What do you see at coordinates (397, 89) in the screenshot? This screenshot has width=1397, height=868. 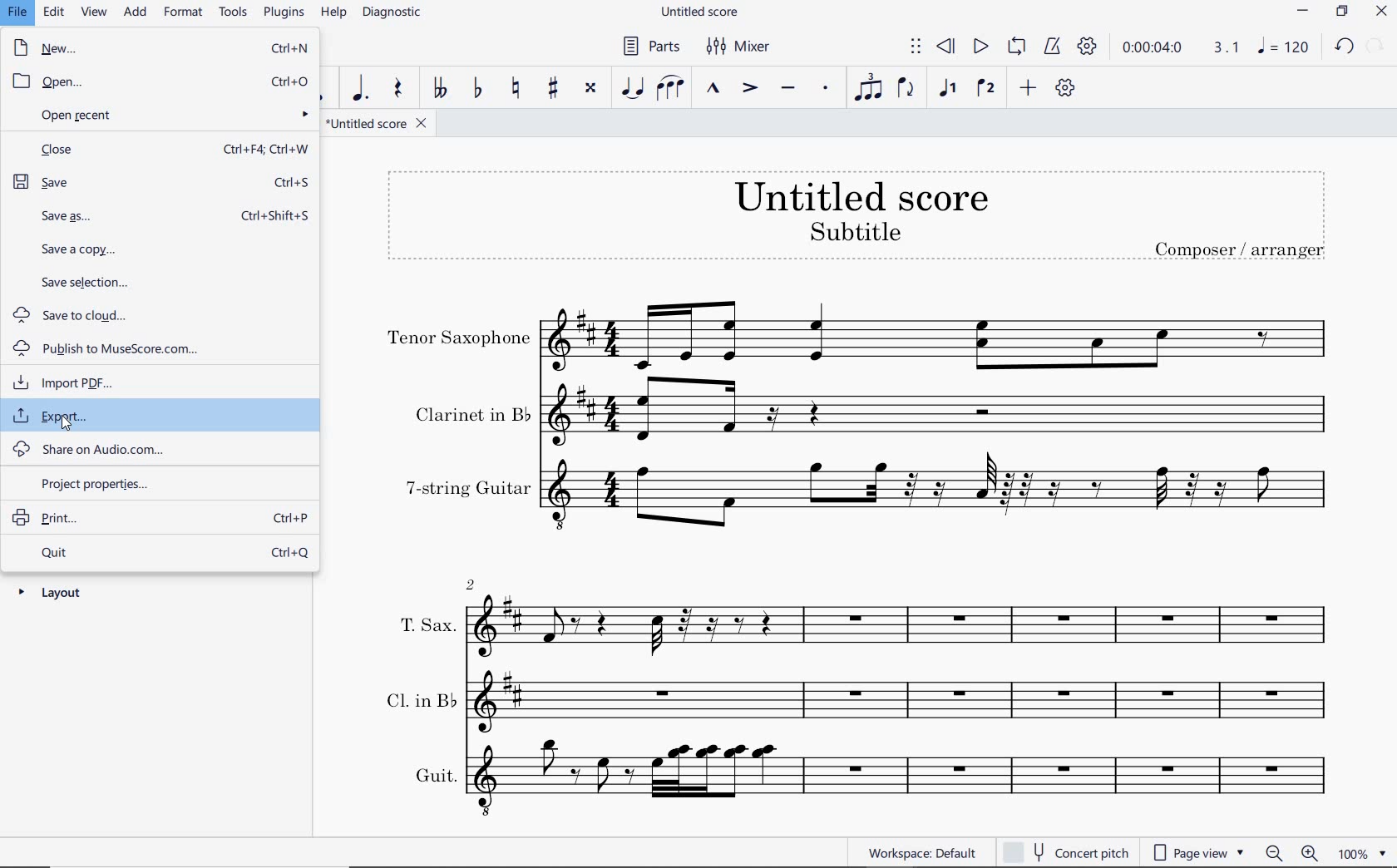 I see `REST` at bounding box center [397, 89].